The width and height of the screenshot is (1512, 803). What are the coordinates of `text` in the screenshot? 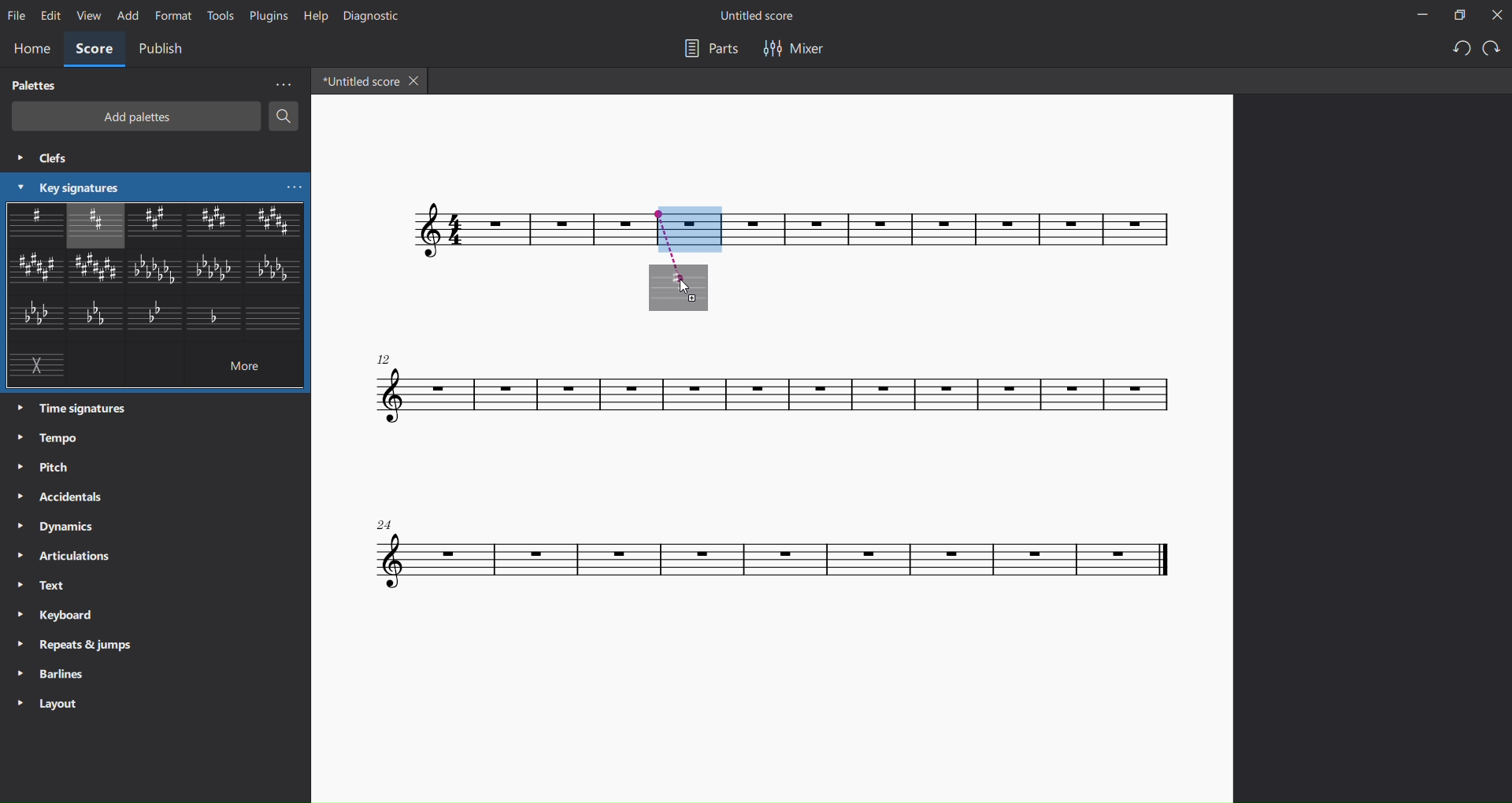 It's located at (47, 586).